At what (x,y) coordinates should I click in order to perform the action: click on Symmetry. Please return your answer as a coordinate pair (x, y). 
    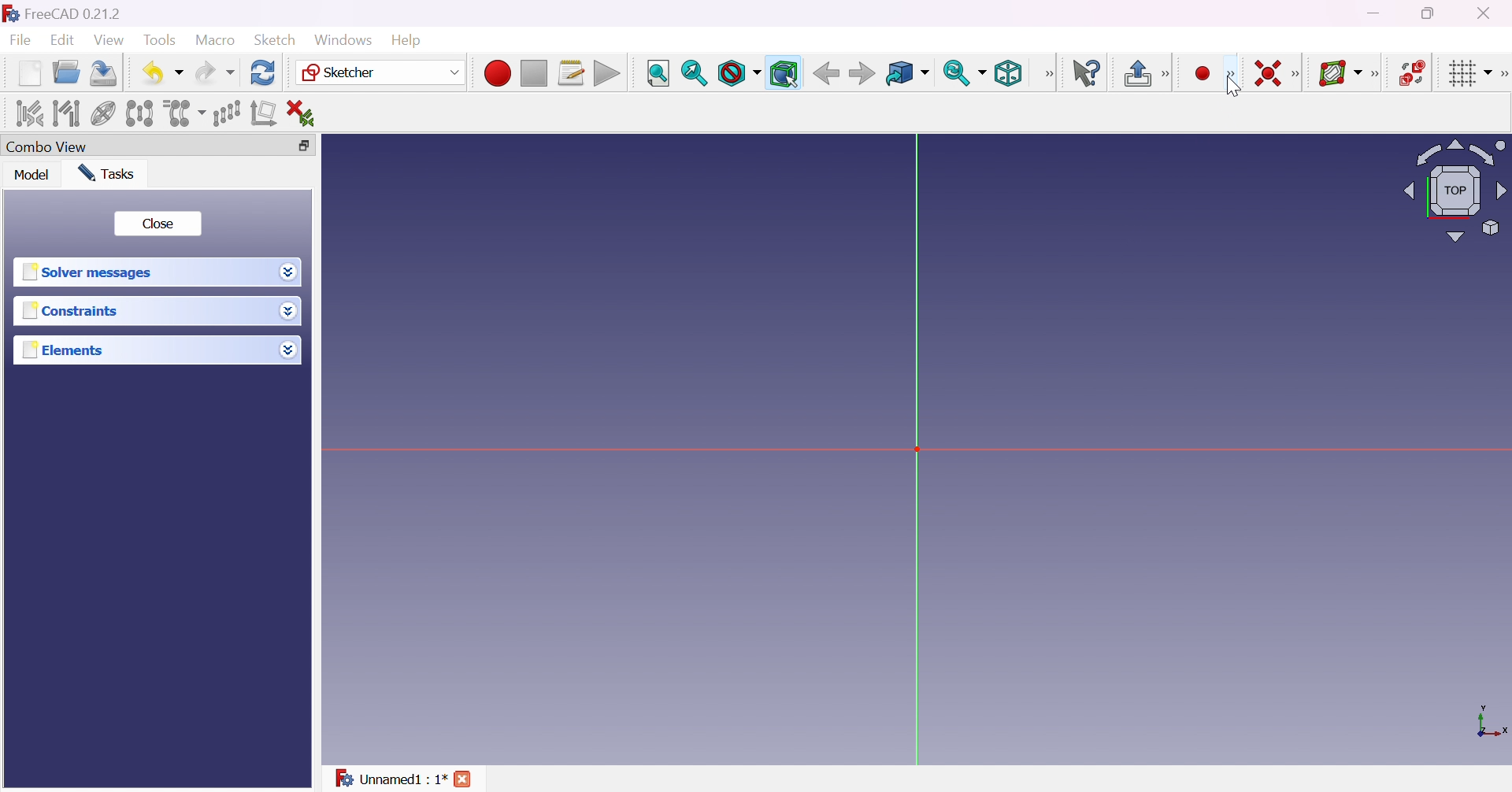
    Looking at the image, I should click on (140, 113).